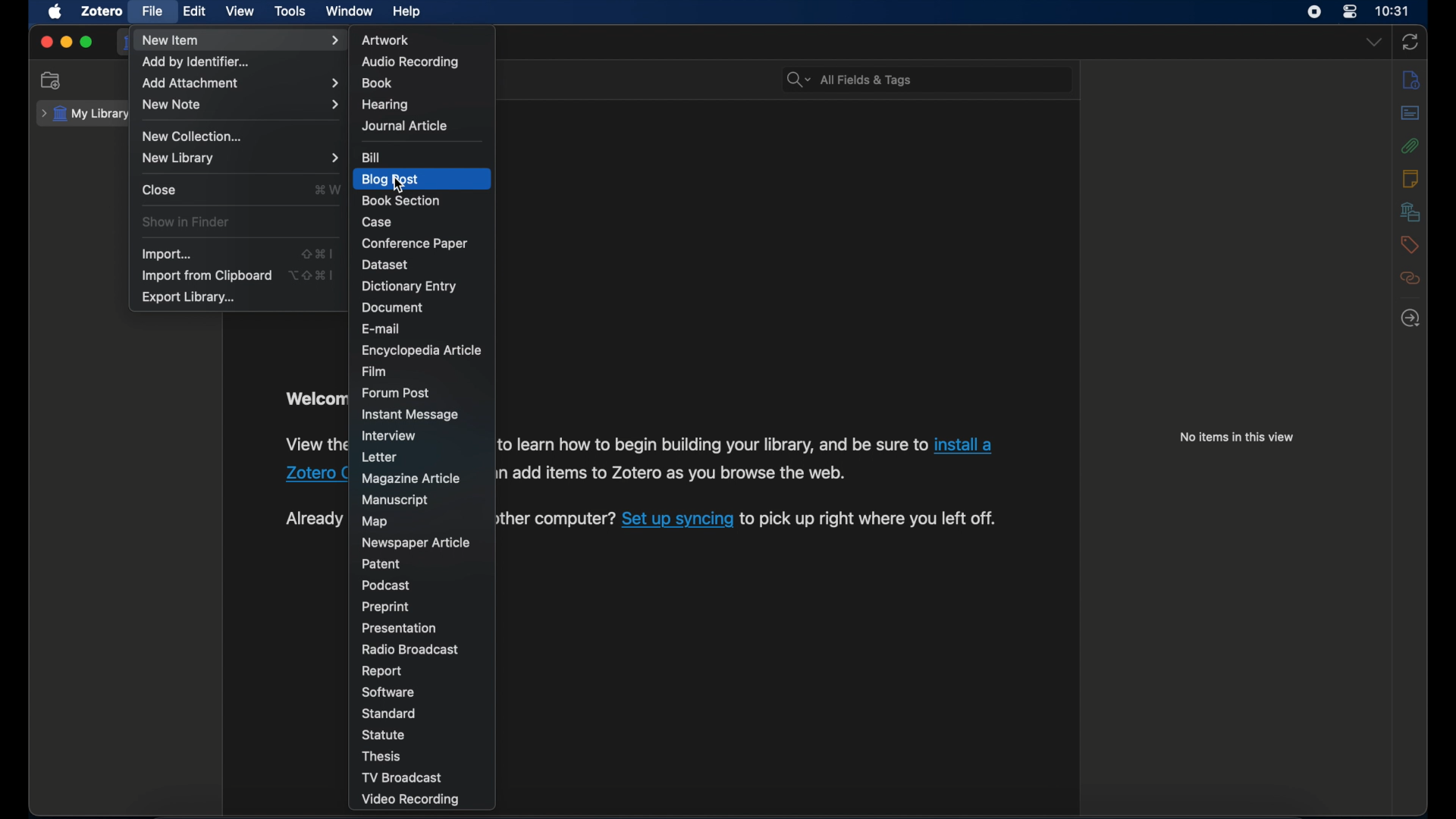  What do you see at coordinates (409, 479) in the screenshot?
I see `magazine article` at bounding box center [409, 479].